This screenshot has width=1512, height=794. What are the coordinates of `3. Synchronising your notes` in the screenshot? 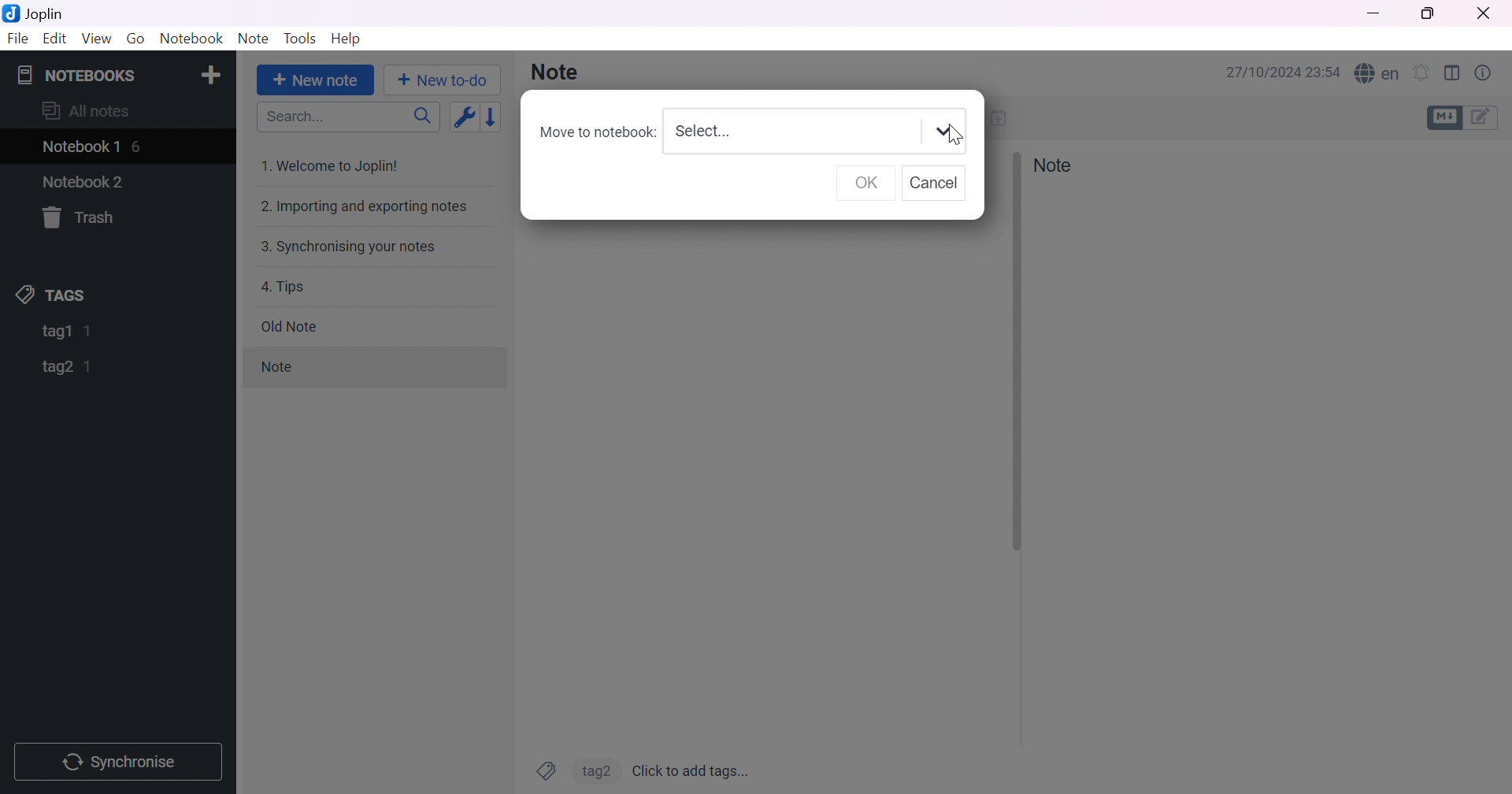 It's located at (346, 248).